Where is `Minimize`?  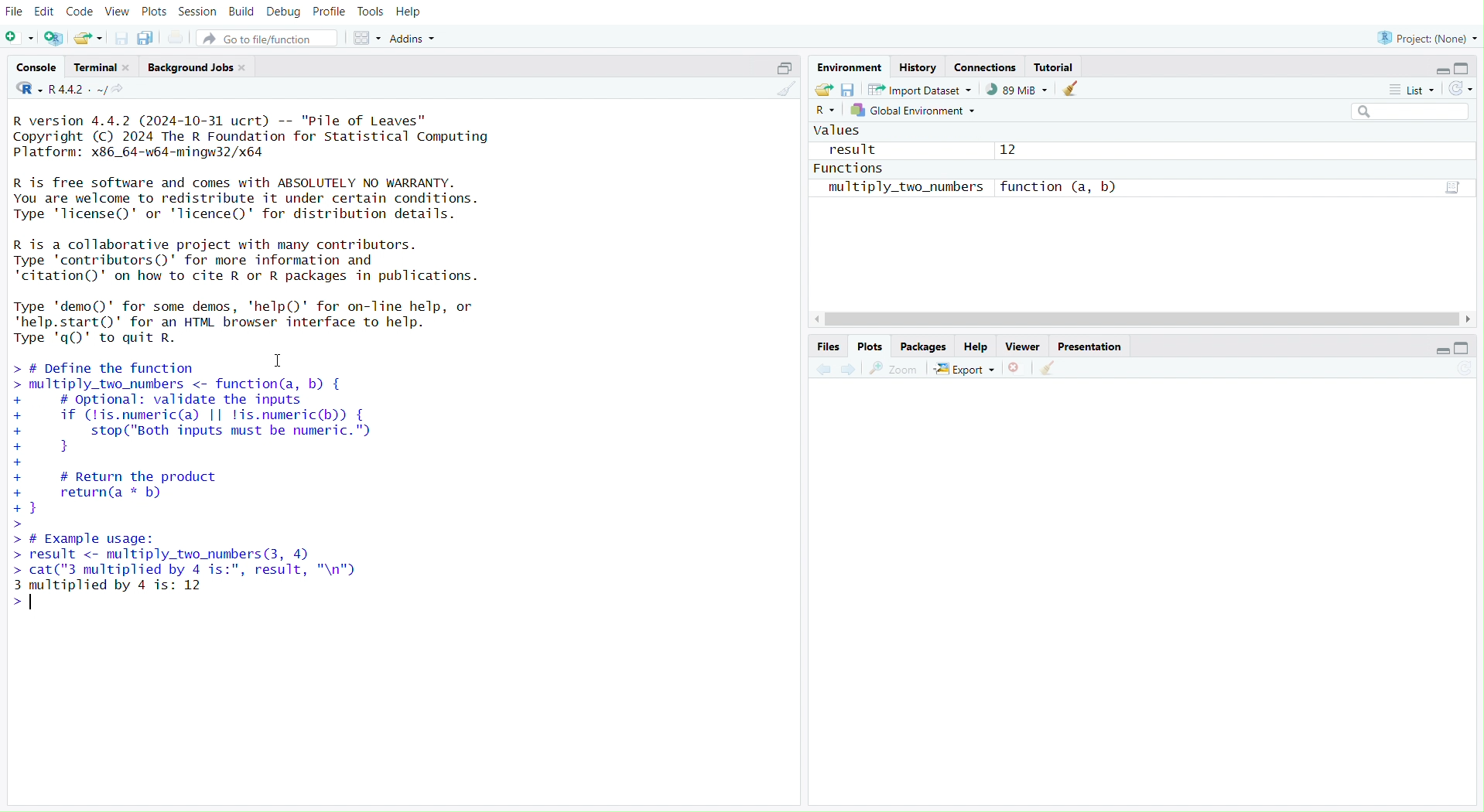
Minimize is located at coordinates (1438, 350).